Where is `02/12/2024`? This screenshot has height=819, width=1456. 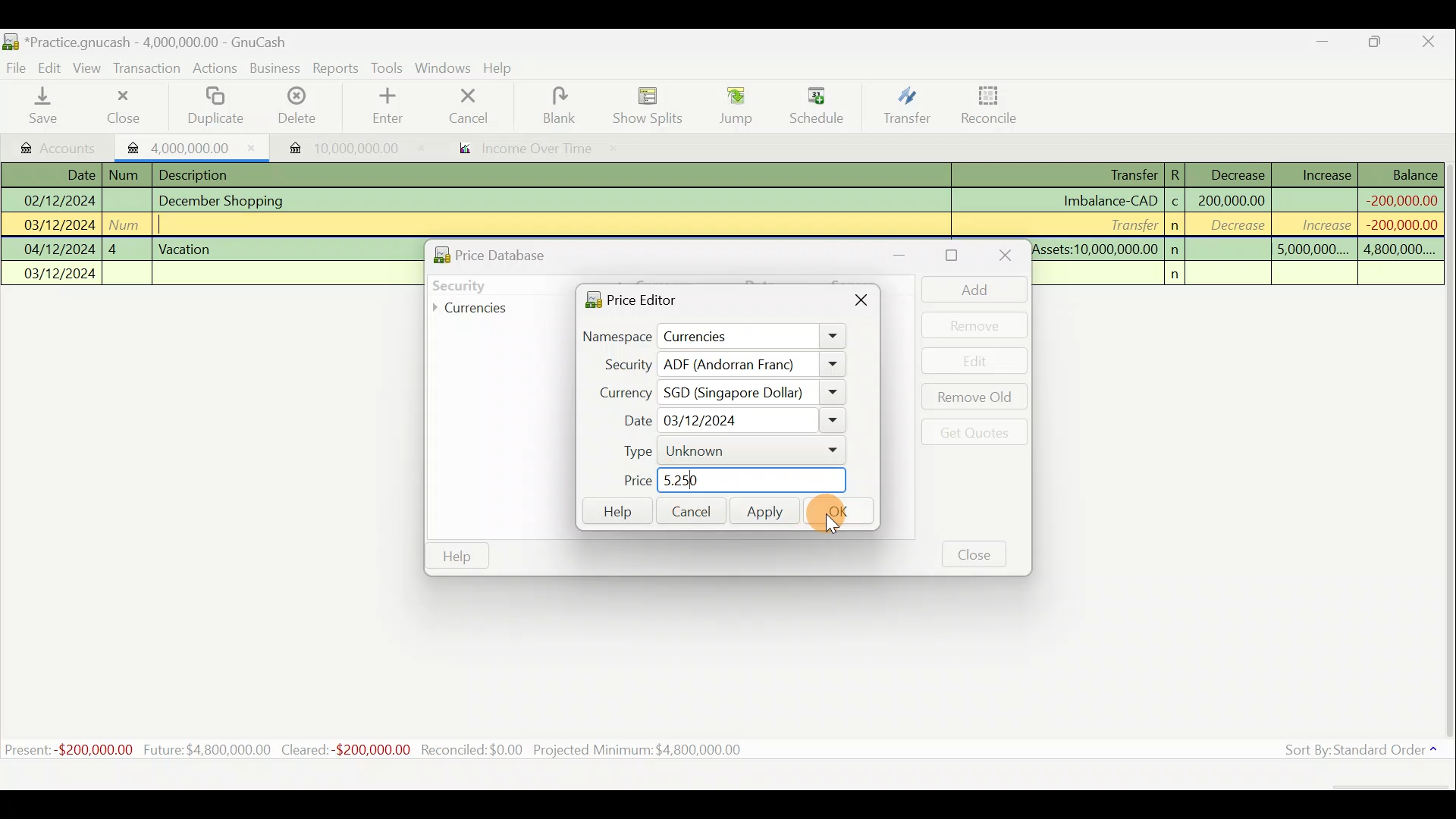 02/12/2024 is located at coordinates (58, 199).